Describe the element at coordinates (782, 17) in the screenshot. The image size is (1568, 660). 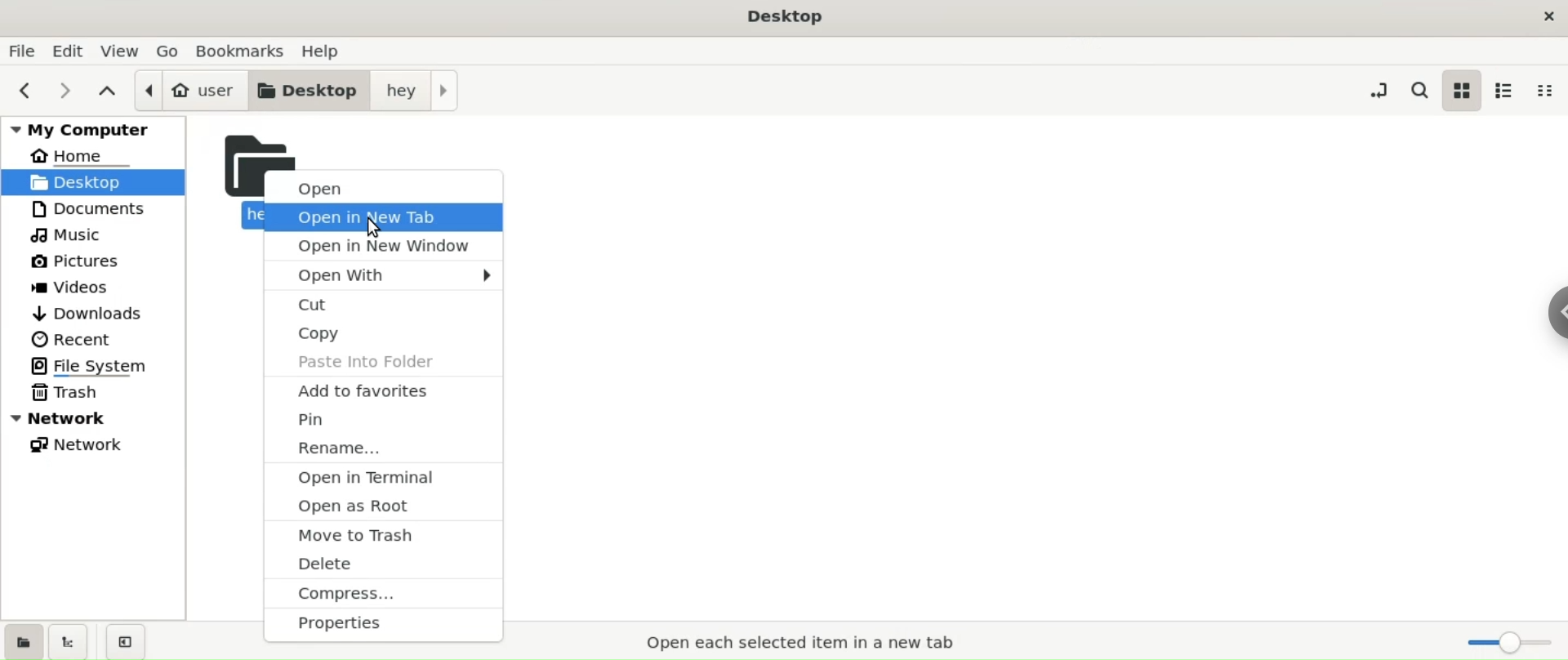
I see `title` at that location.